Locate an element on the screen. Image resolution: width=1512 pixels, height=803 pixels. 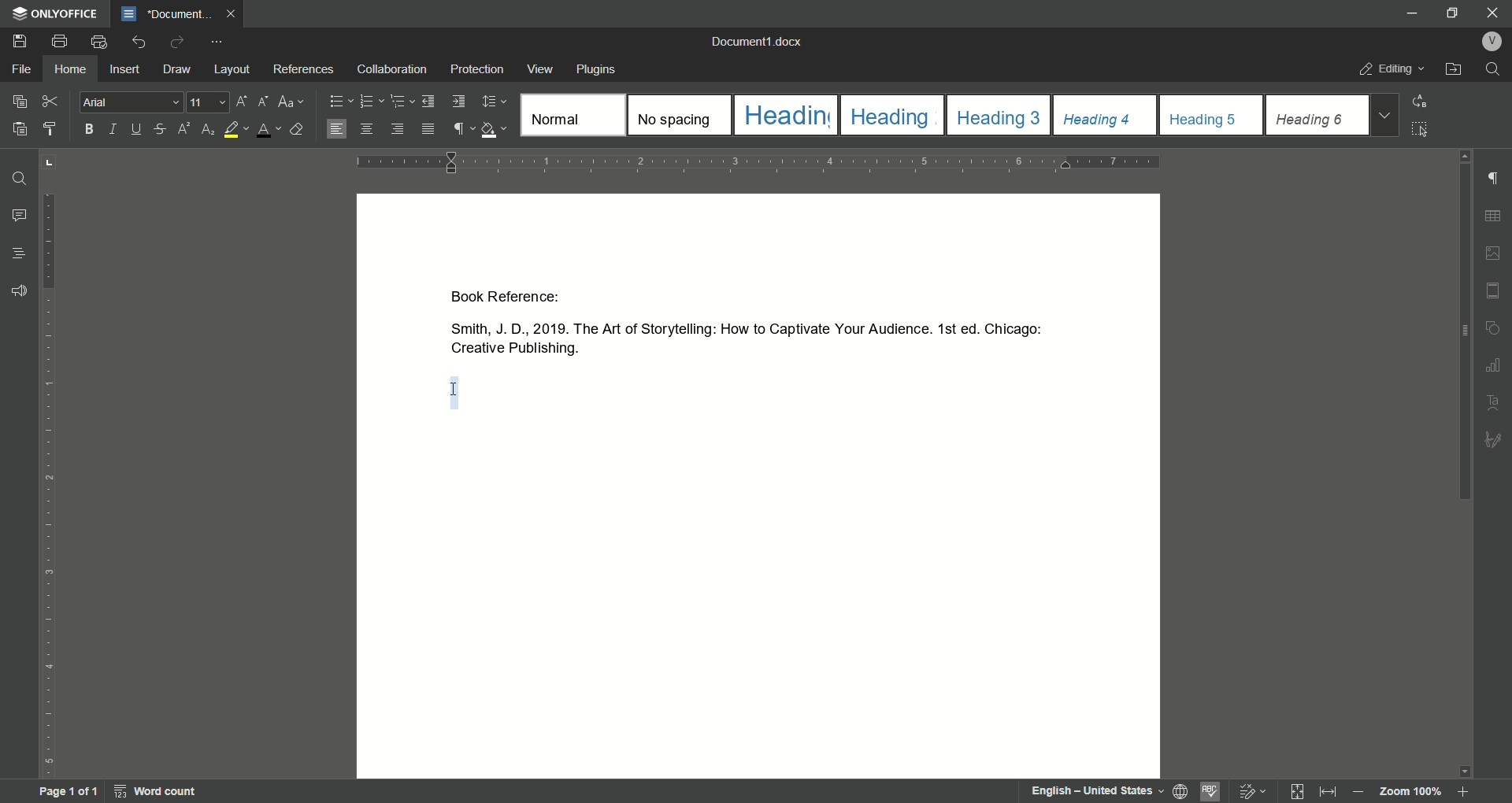
fit to width is located at coordinates (1326, 792).